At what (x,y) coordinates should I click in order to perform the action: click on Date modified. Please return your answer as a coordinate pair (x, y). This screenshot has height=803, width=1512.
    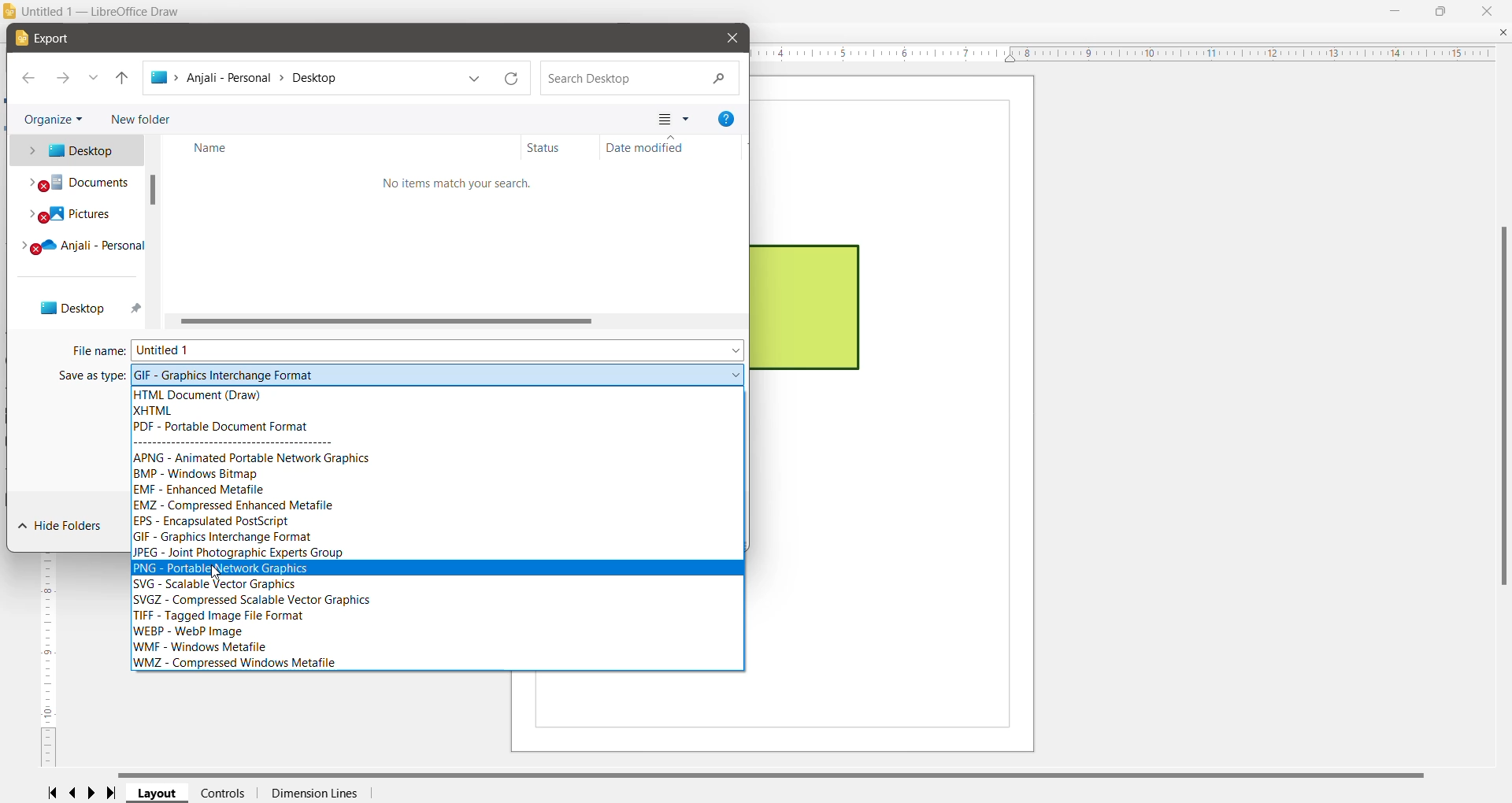
    Looking at the image, I should click on (674, 147).